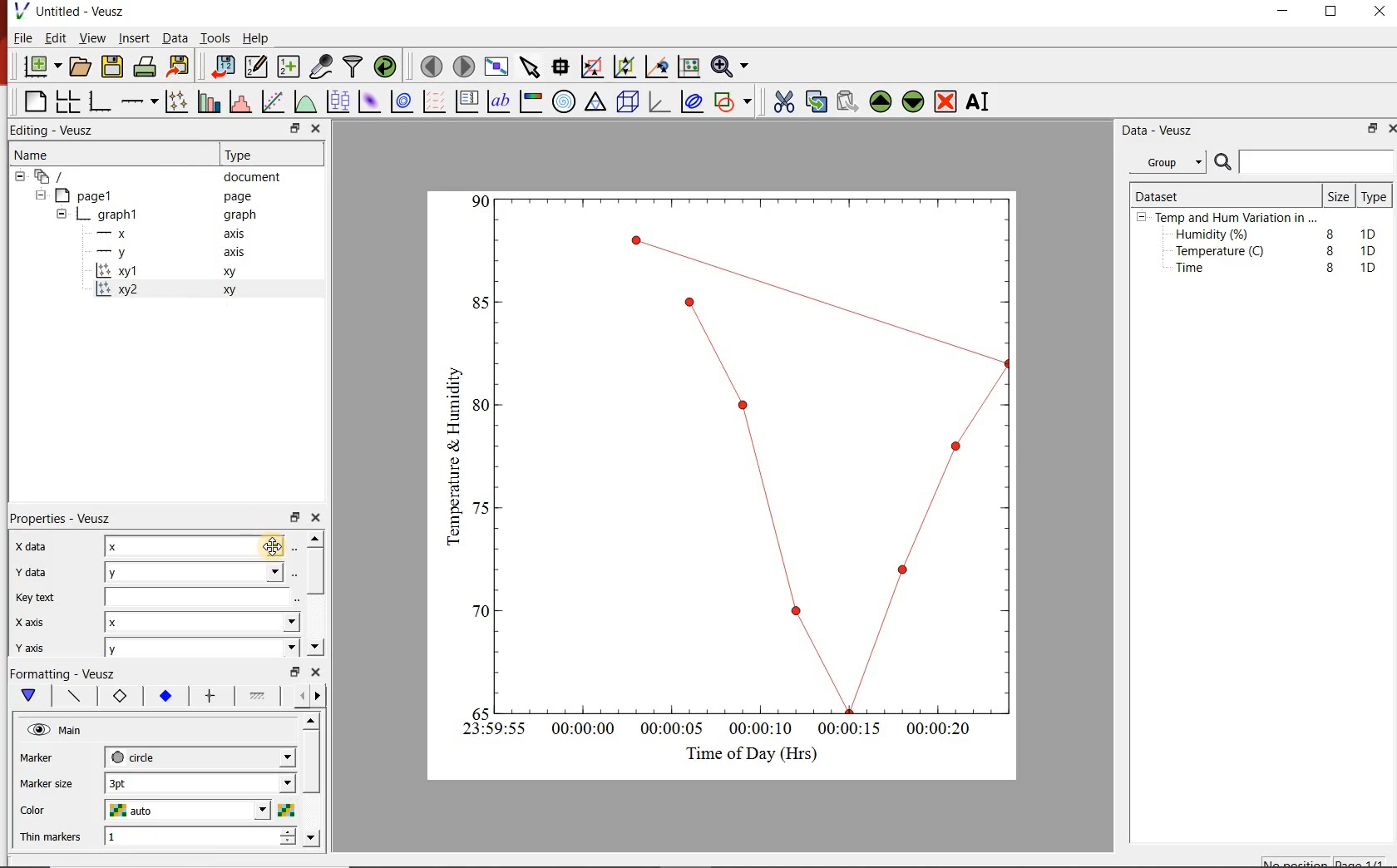  Describe the element at coordinates (816, 101) in the screenshot. I see `copy the selected widget` at that location.